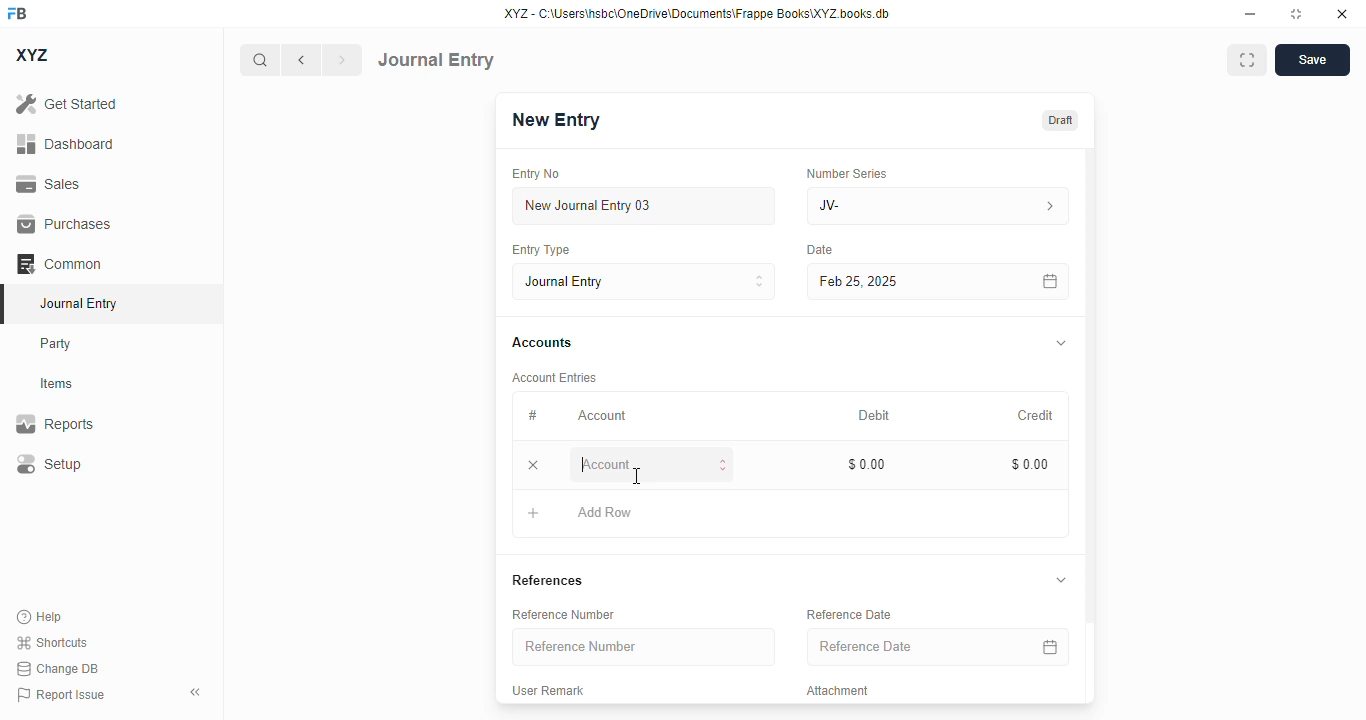 The image size is (1366, 720). Describe the element at coordinates (1313, 60) in the screenshot. I see `save` at that location.